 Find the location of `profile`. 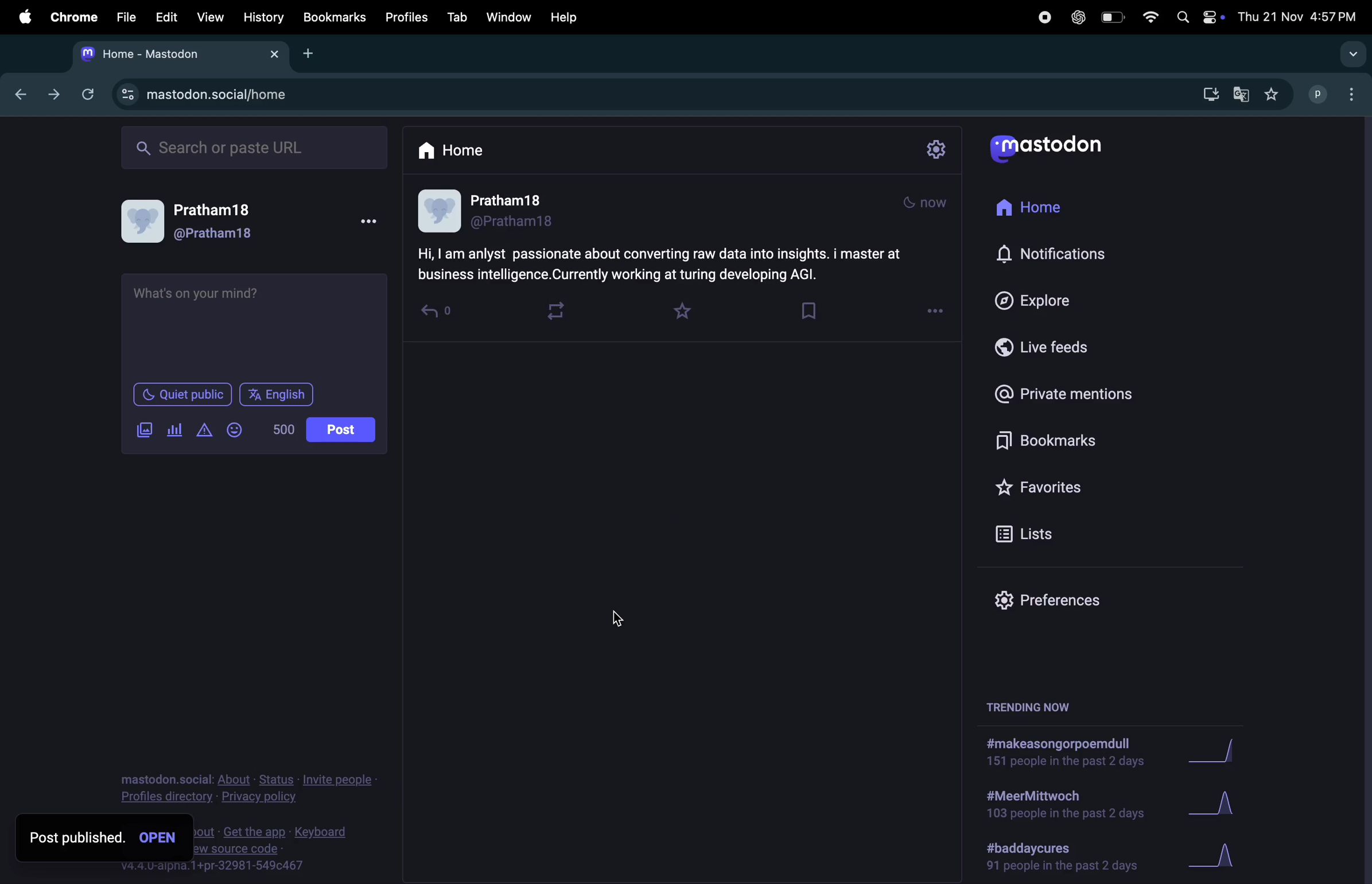

profile is located at coordinates (1313, 93).